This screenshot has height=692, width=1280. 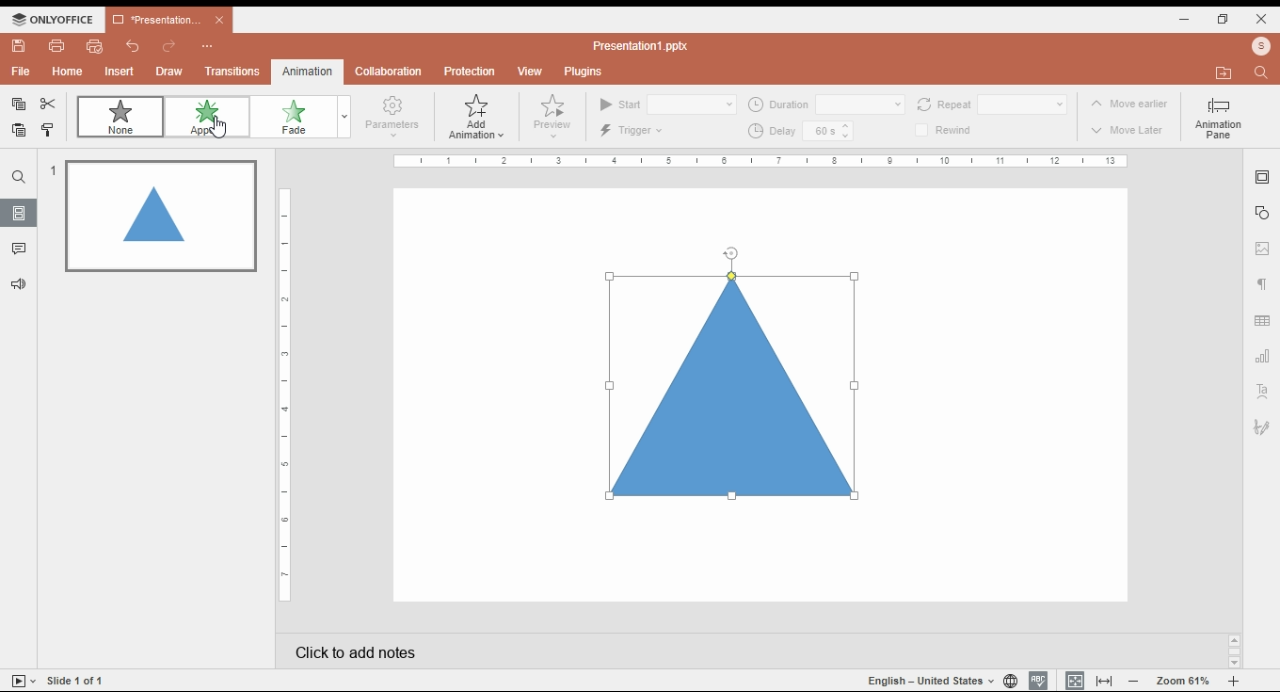 I want to click on insert, so click(x=121, y=70).